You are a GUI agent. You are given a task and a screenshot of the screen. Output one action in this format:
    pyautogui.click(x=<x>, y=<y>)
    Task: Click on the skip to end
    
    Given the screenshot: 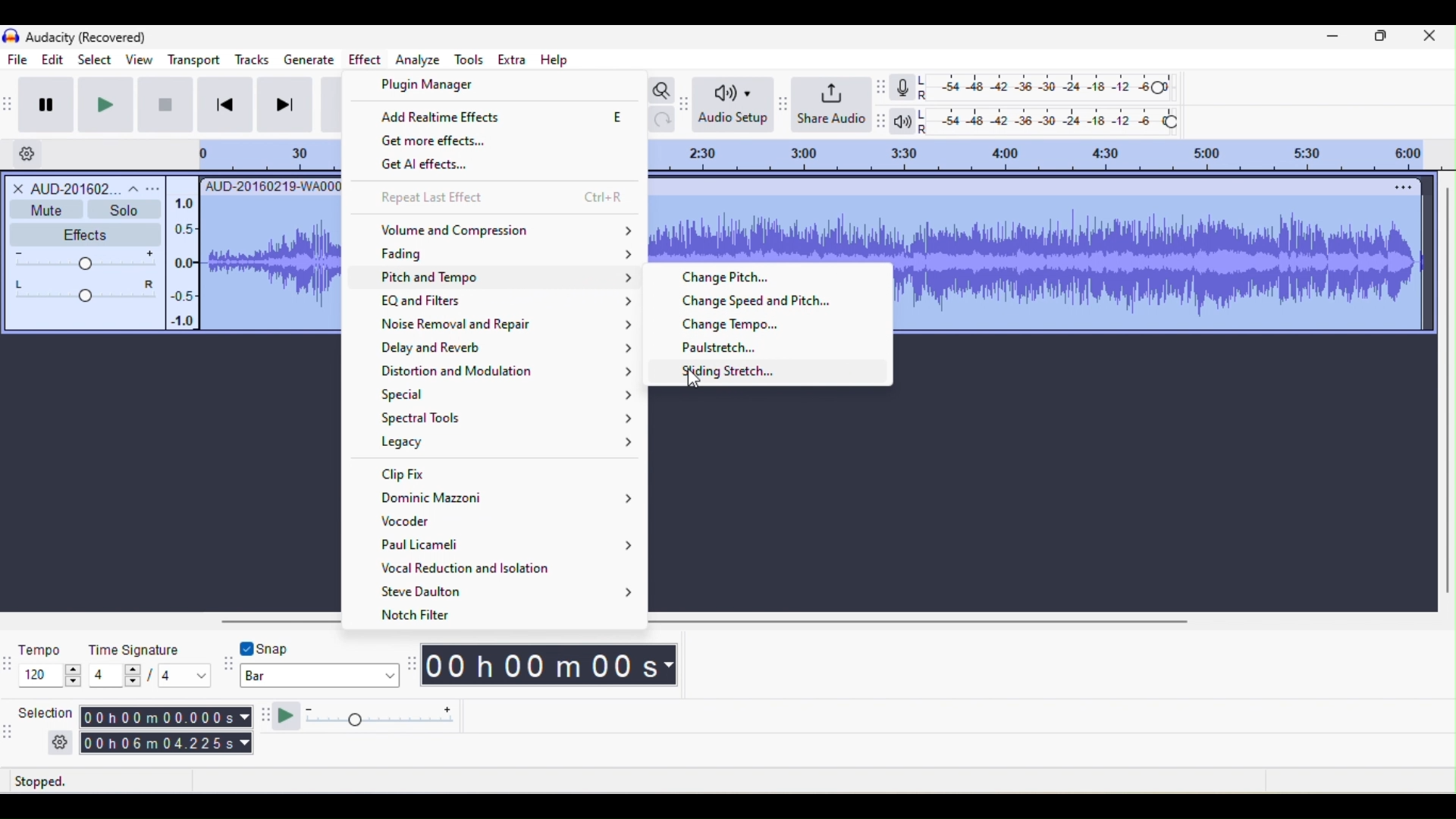 What is the action you would take?
    pyautogui.click(x=292, y=105)
    